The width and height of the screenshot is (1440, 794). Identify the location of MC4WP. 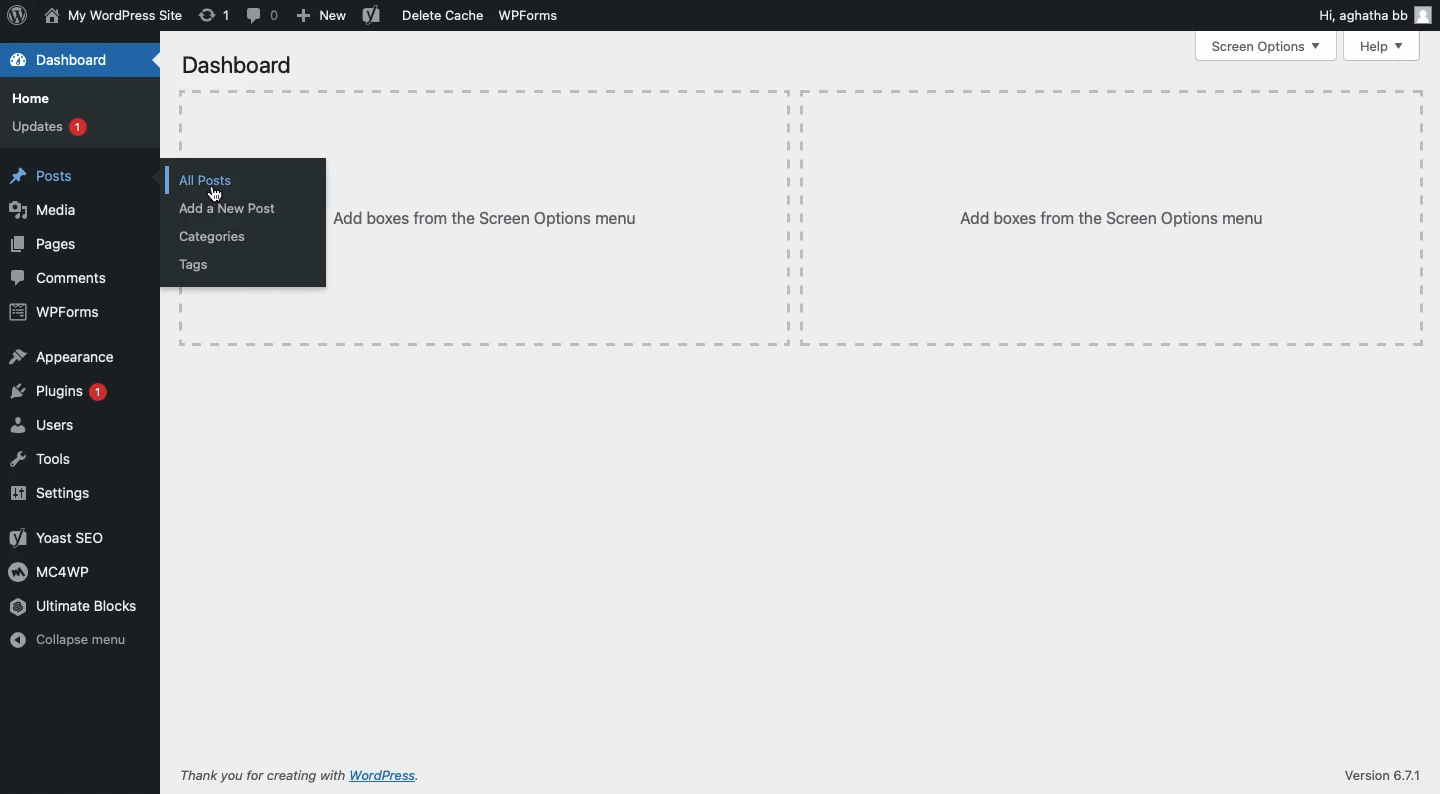
(51, 572).